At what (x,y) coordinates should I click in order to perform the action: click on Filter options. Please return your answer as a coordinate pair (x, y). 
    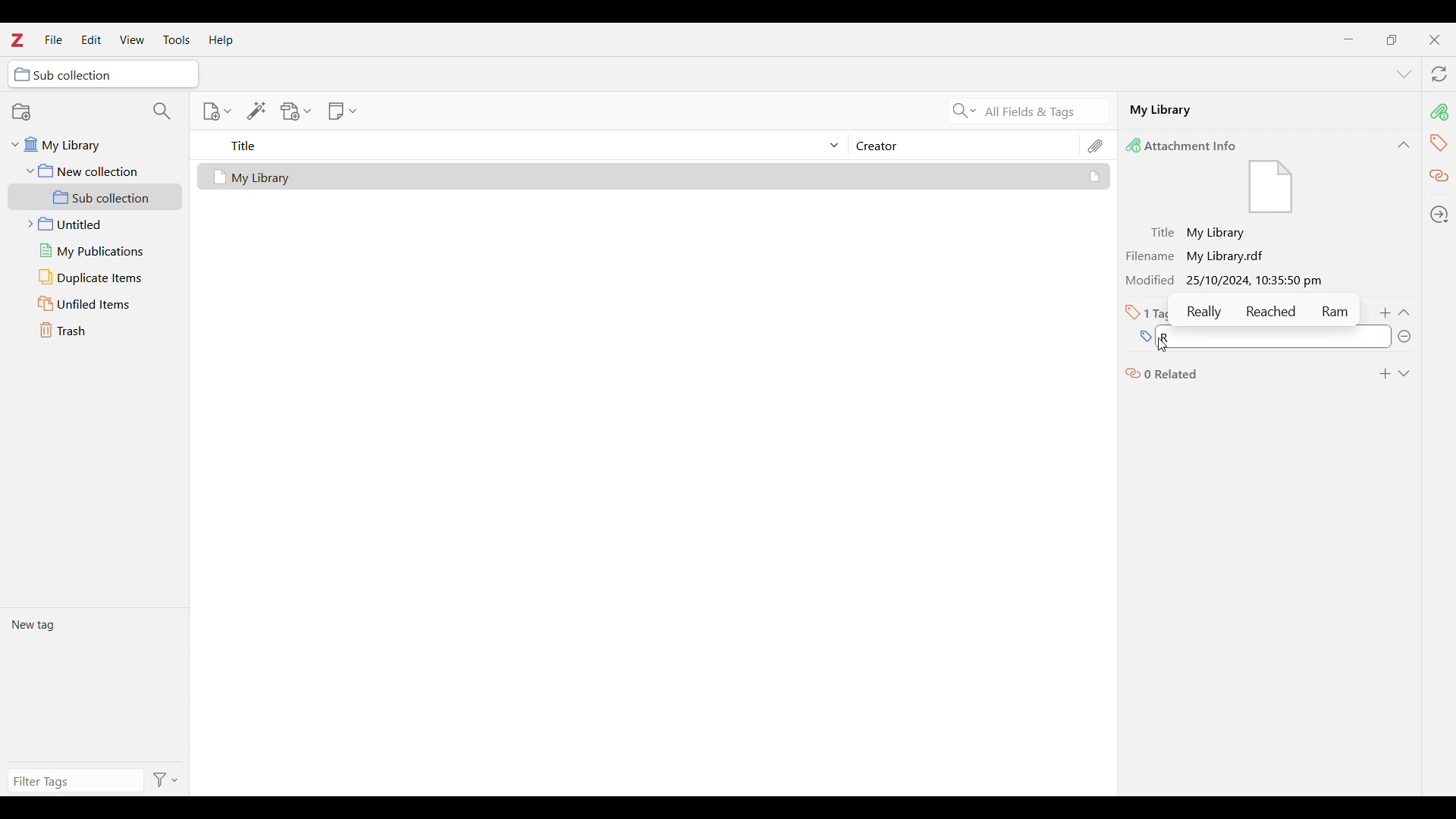
    Looking at the image, I should click on (166, 781).